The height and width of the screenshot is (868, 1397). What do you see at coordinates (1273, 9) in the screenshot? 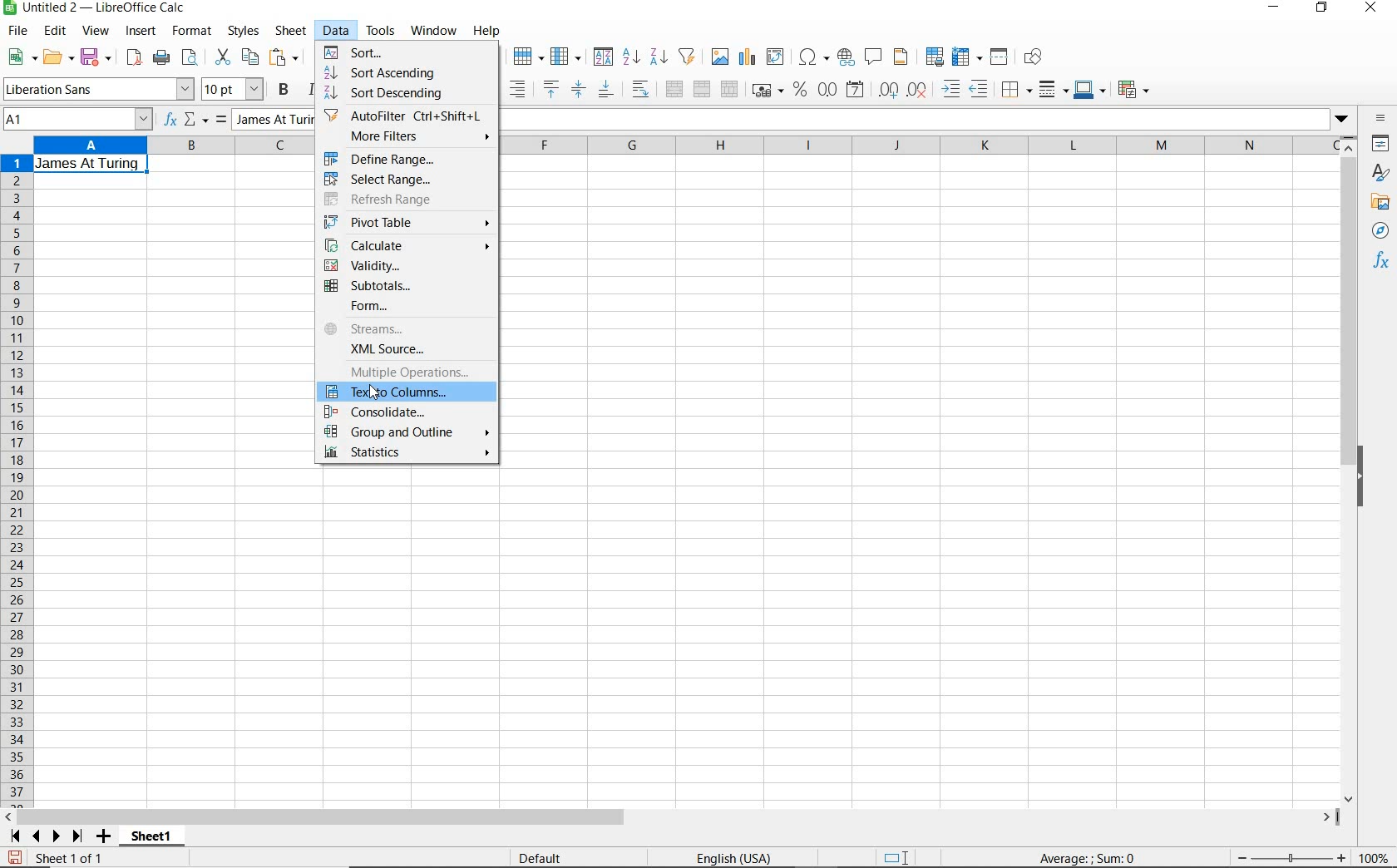
I see `minimize` at bounding box center [1273, 9].